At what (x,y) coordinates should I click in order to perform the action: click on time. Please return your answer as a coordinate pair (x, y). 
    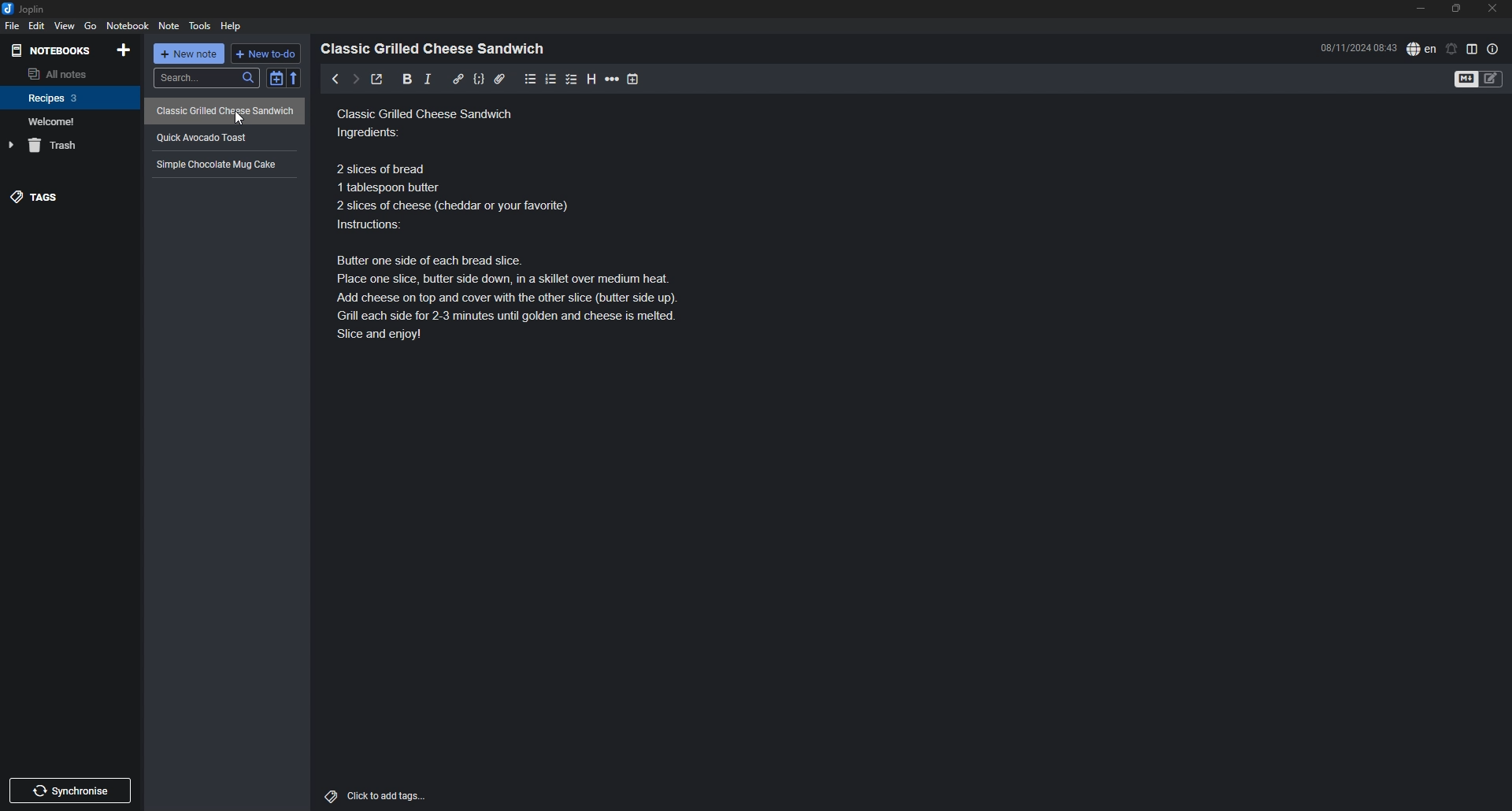
    Looking at the image, I should click on (1358, 47).